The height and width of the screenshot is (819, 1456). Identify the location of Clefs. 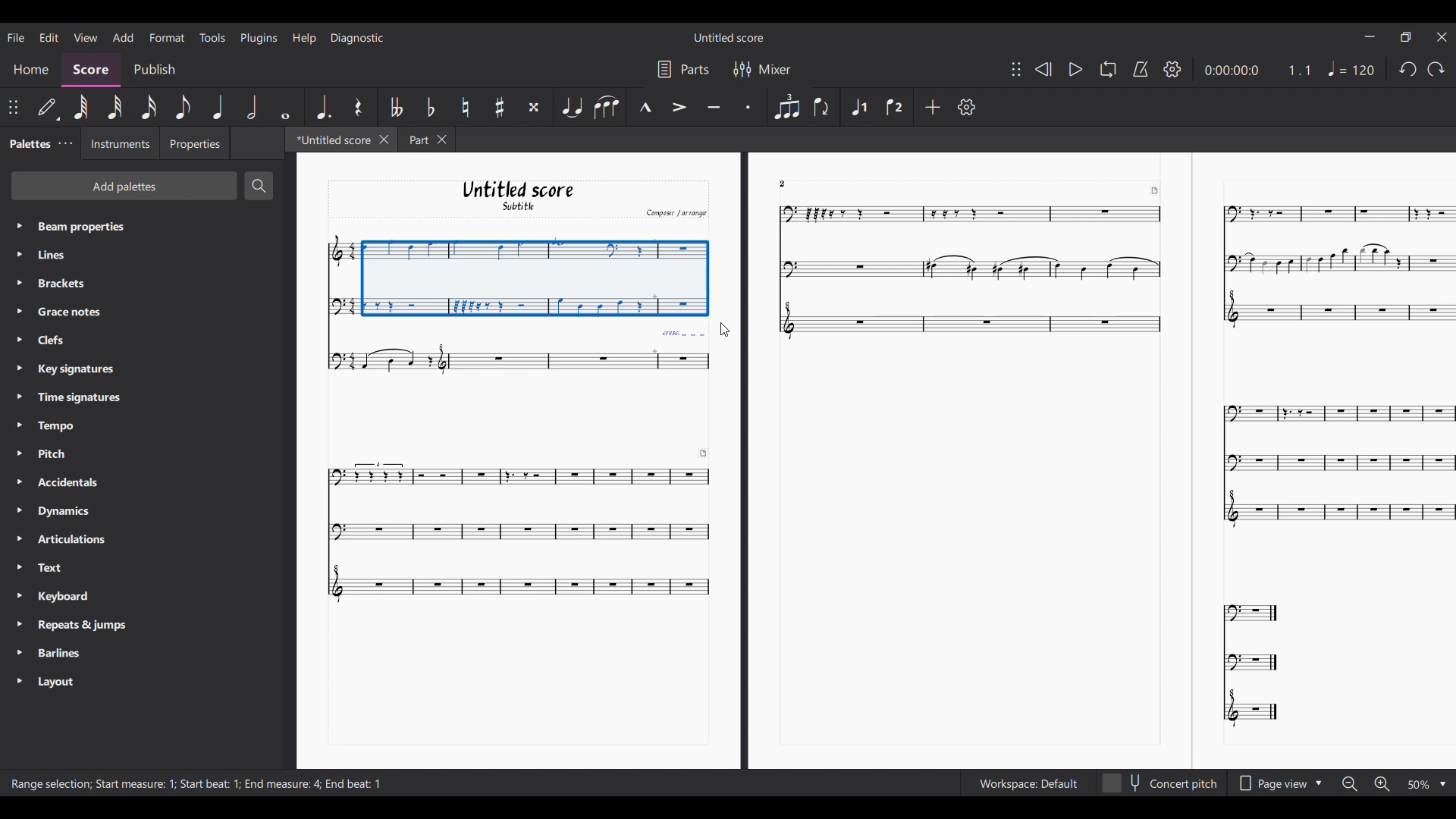
(64, 340).